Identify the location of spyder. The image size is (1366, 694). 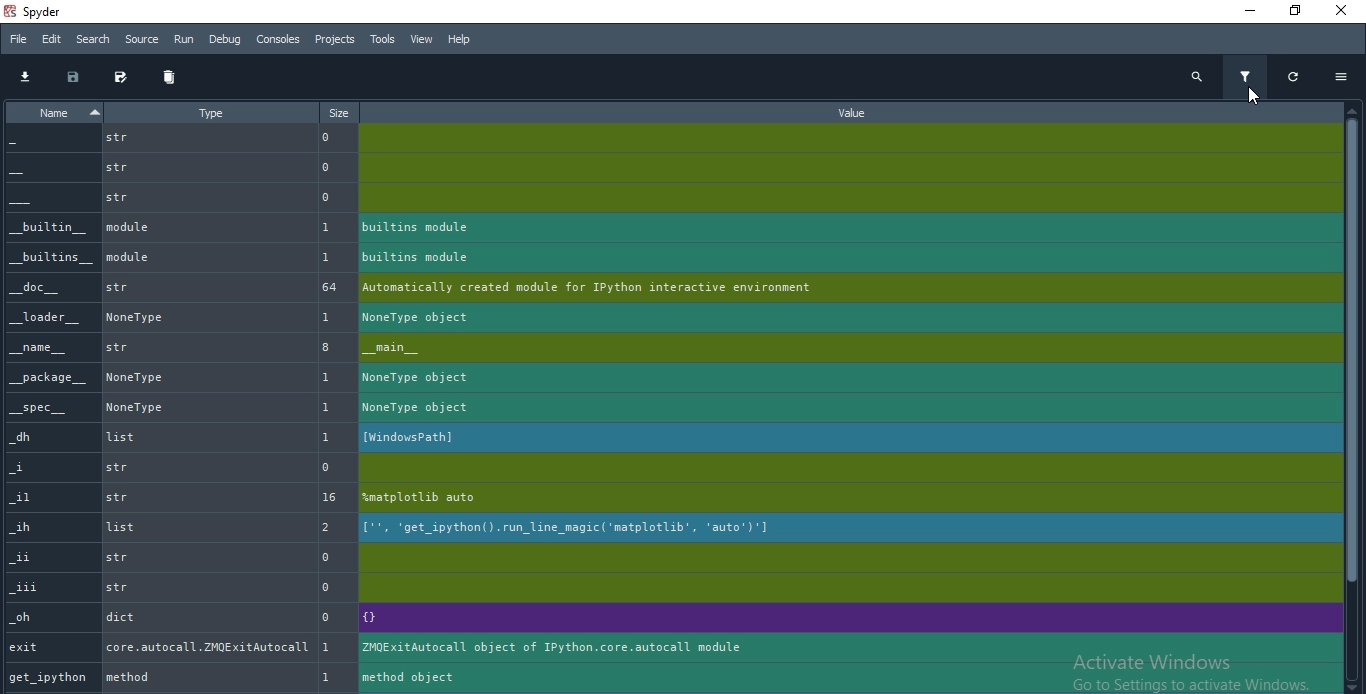
(41, 10).